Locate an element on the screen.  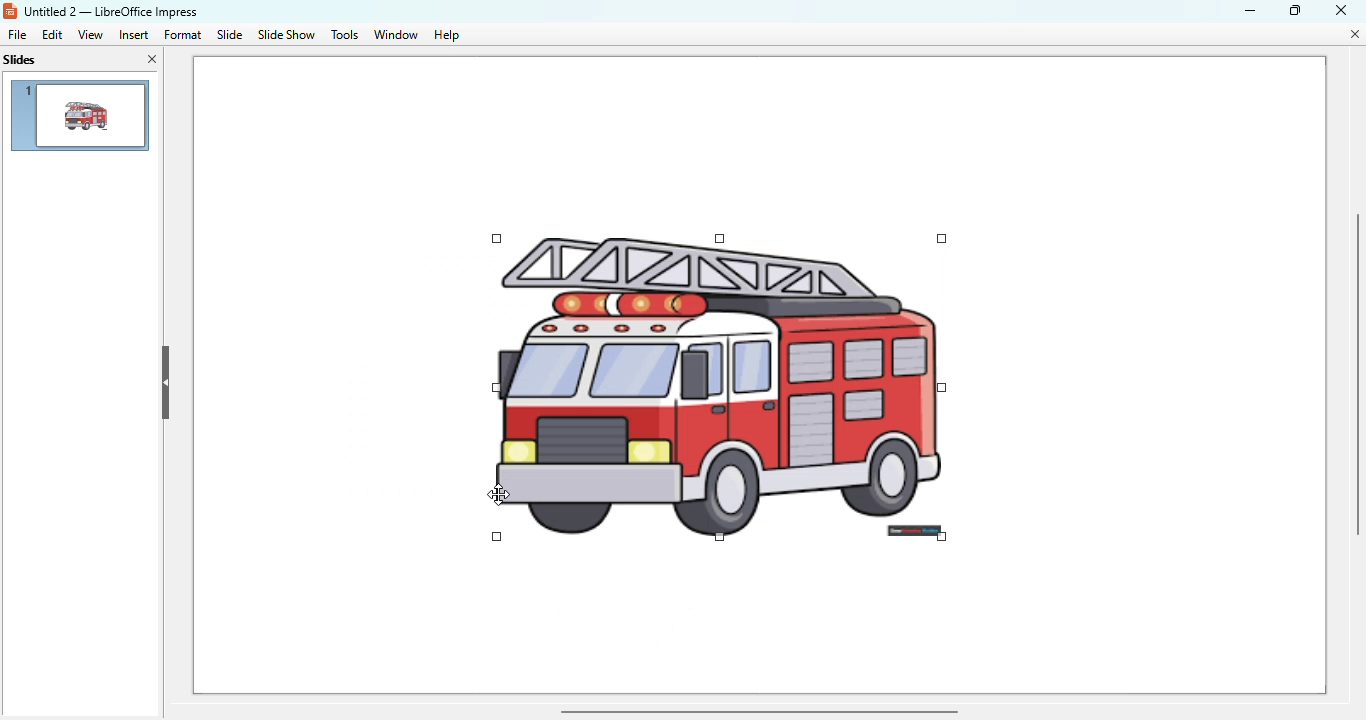
resized image is located at coordinates (719, 387).